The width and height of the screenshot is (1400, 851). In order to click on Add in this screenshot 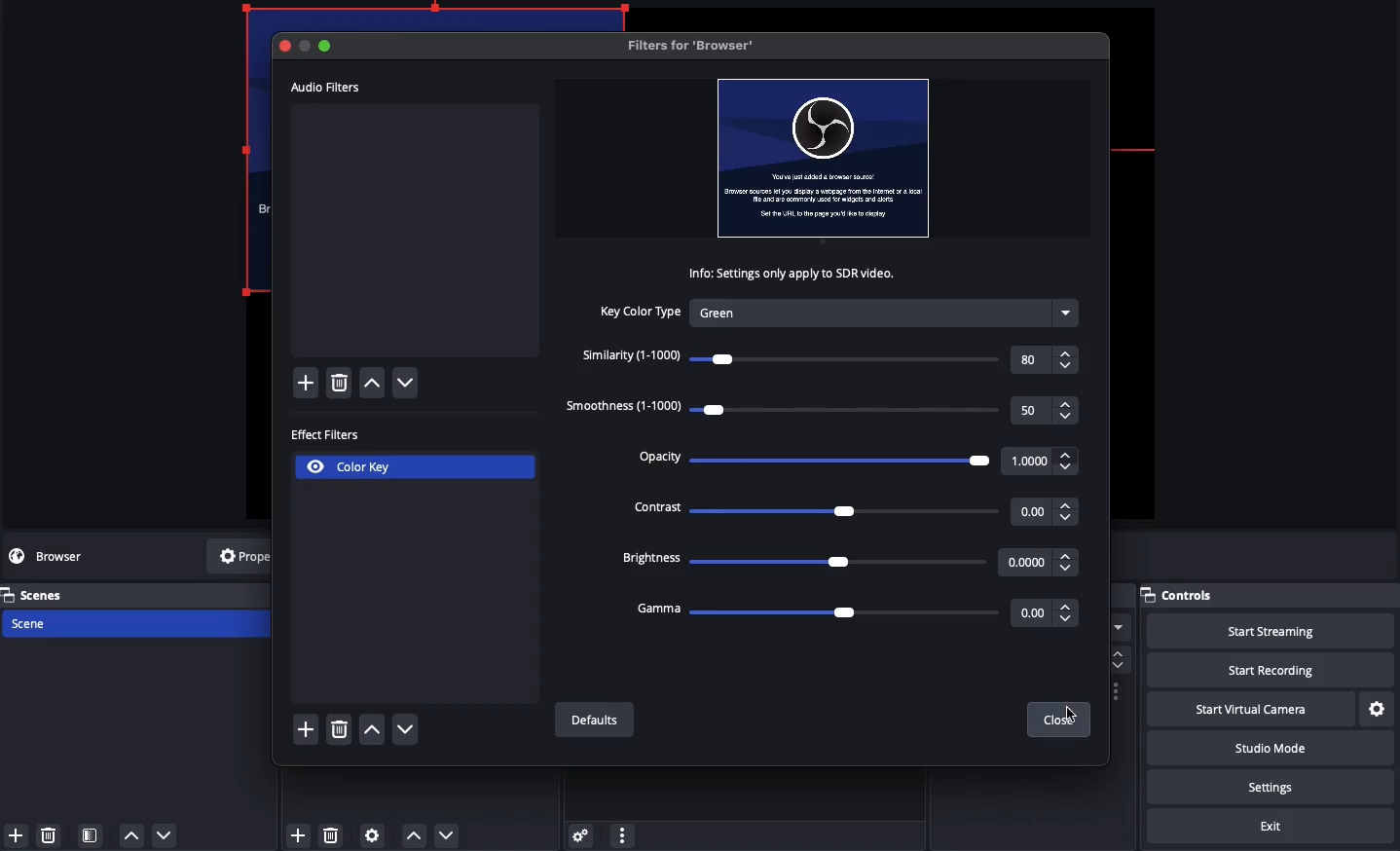, I will do `click(299, 834)`.